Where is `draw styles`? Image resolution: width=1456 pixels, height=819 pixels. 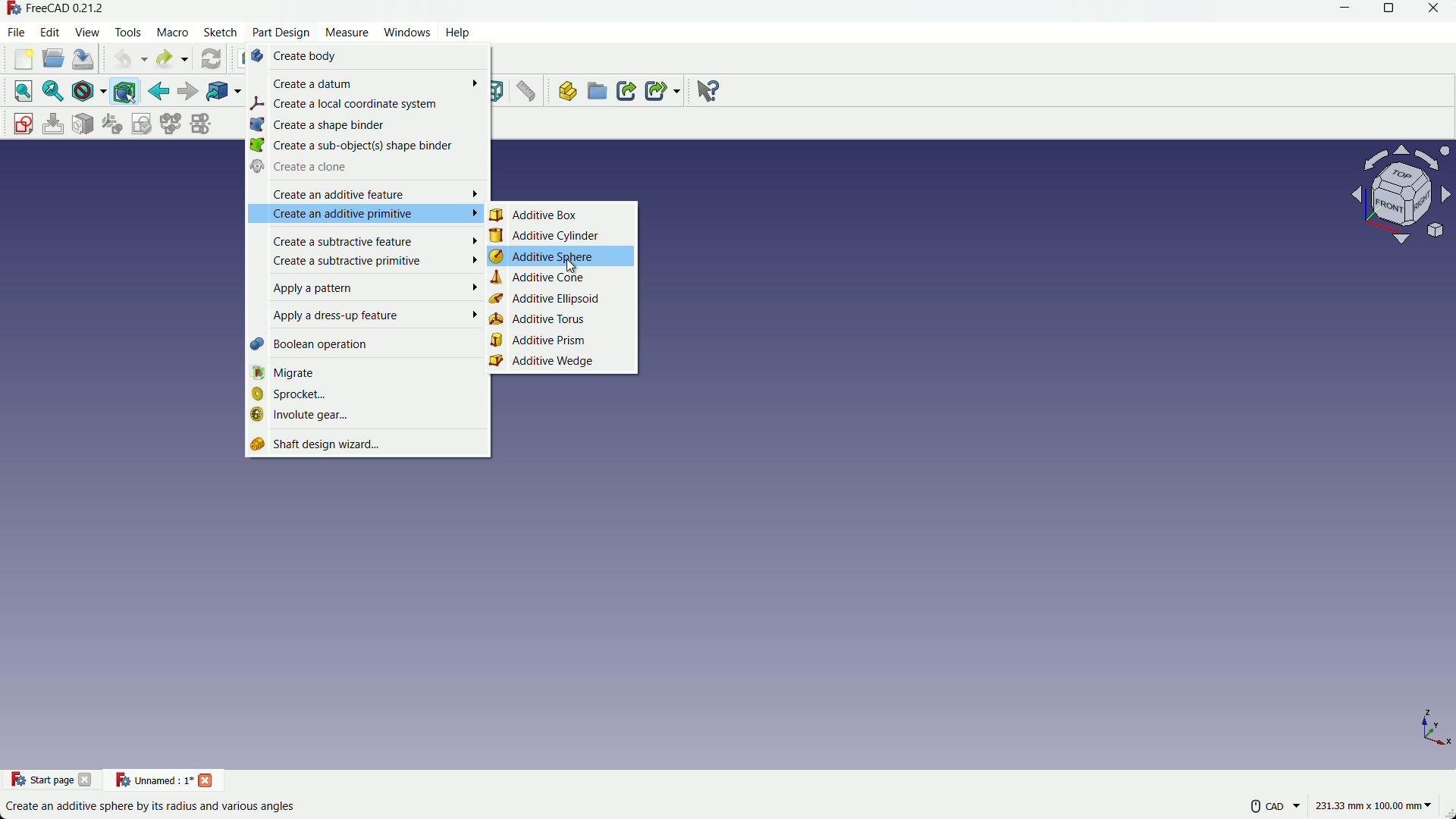
draw styles is located at coordinates (83, 92).